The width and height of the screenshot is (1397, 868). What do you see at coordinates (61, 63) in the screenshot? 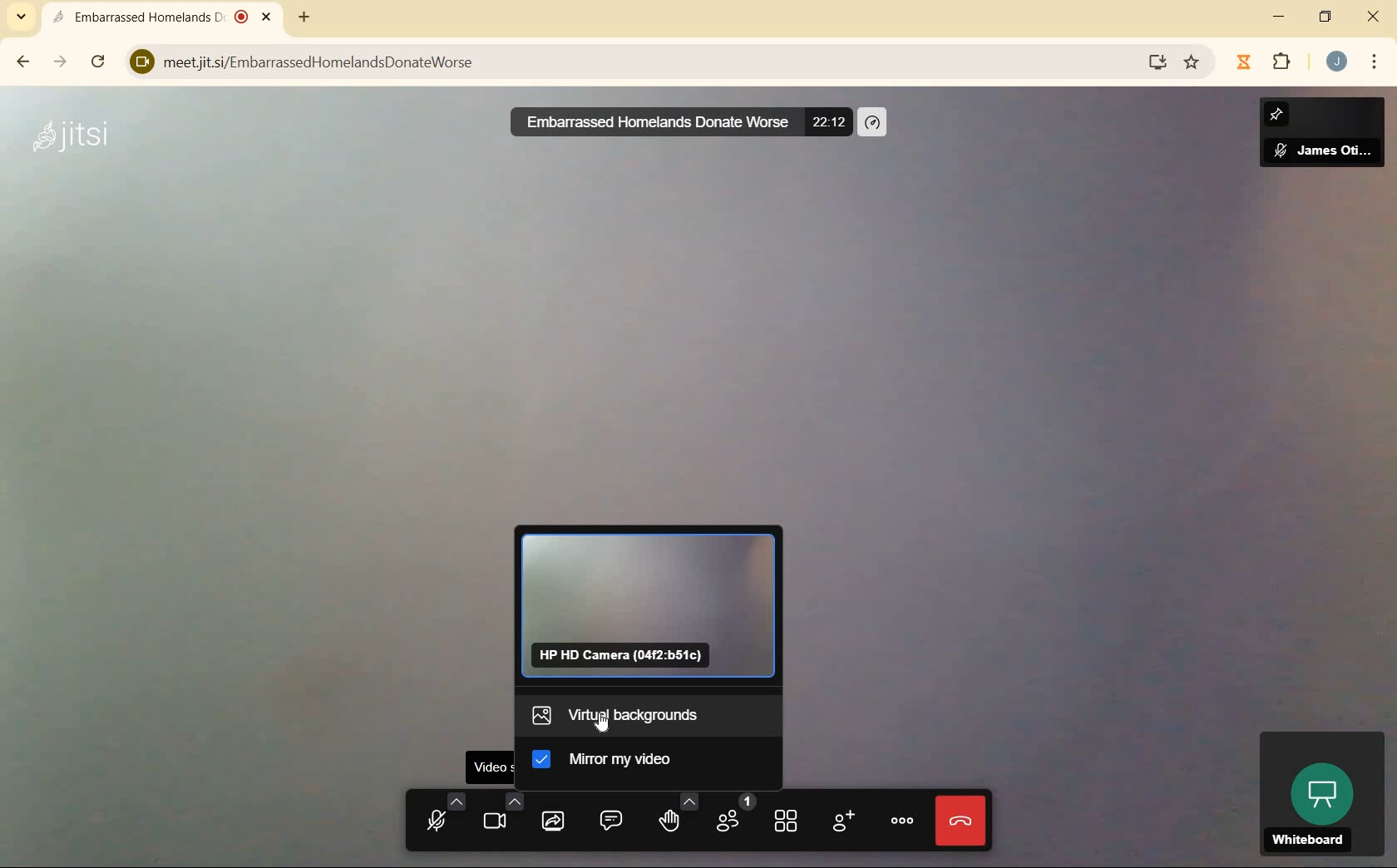
I see `forward` at bounding box center [61, 63].